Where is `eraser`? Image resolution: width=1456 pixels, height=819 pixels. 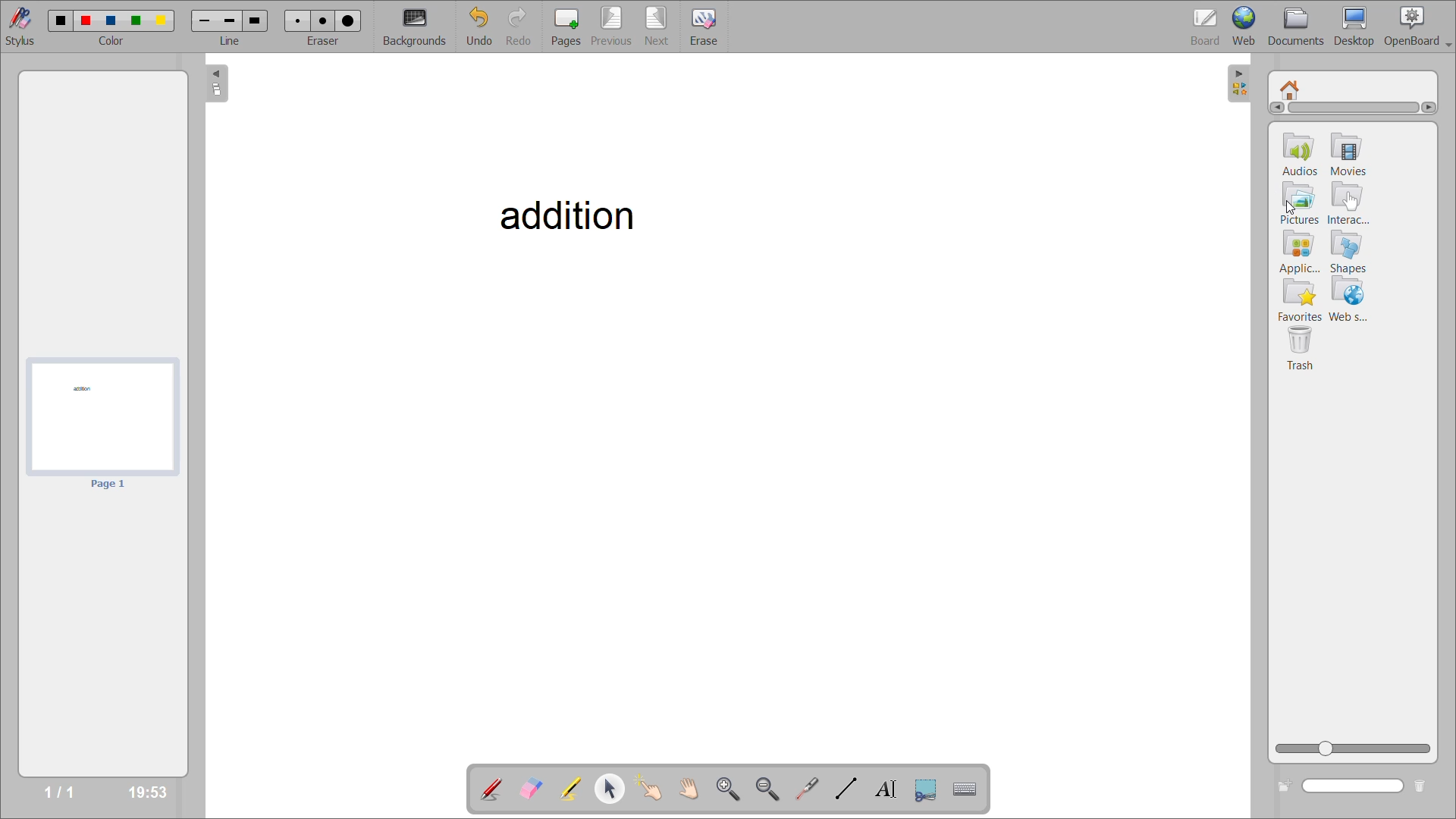
eraser is located at coordinates (322, 38).